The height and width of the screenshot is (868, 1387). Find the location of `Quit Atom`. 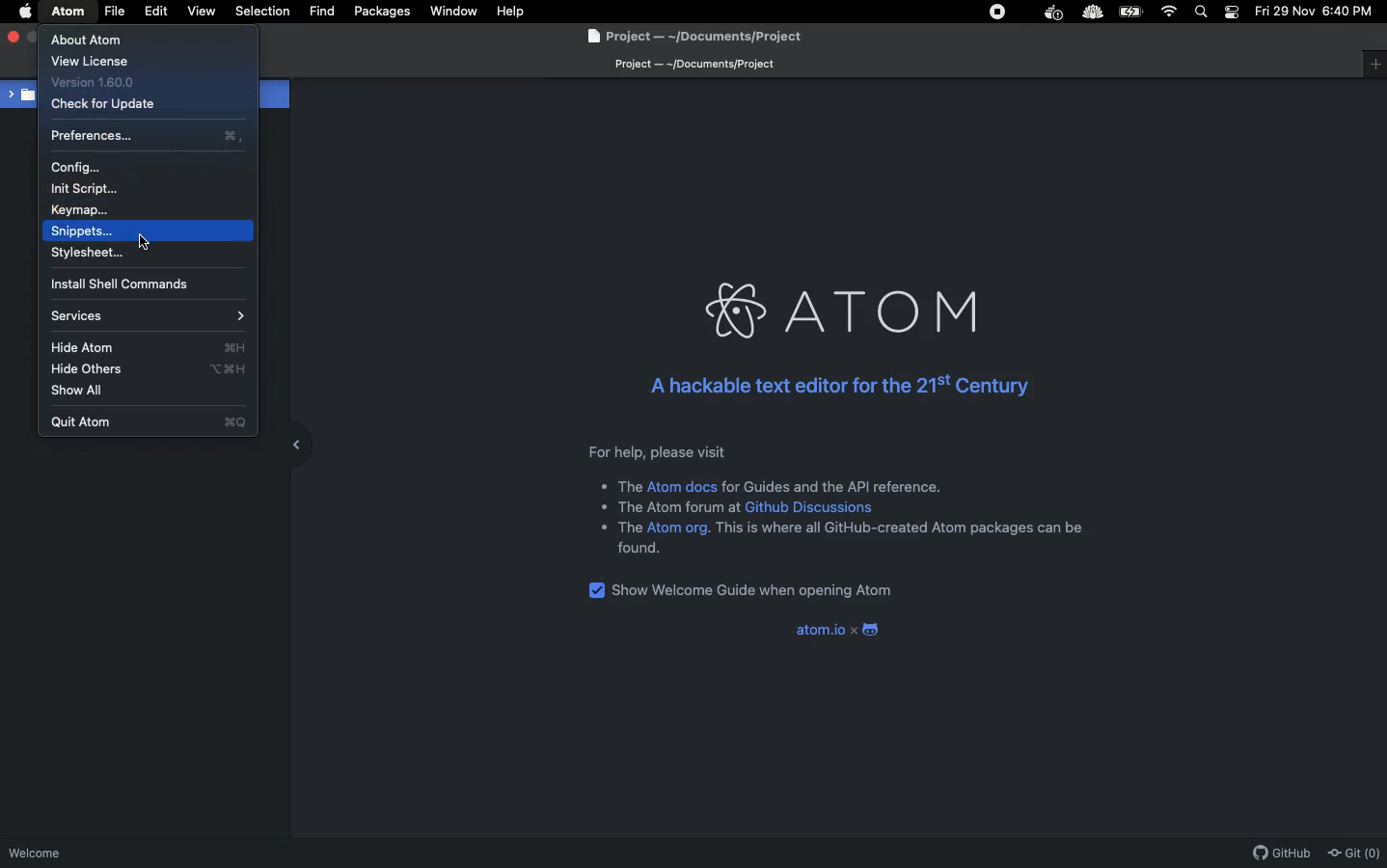

Quit Atom is located at coordinates (150, 420).